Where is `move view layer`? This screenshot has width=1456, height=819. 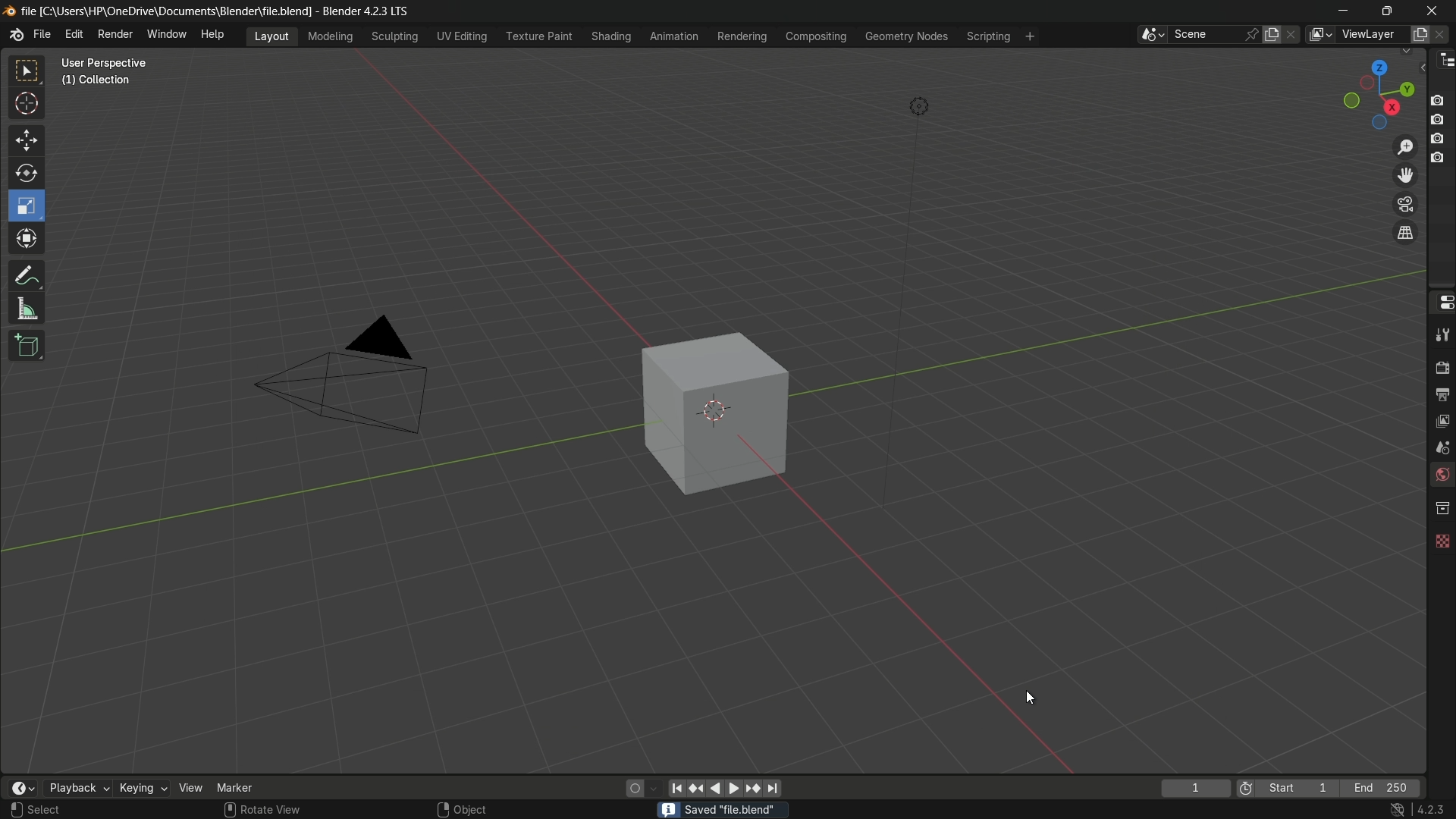 move view layer is located at coordinates (1404, 174).